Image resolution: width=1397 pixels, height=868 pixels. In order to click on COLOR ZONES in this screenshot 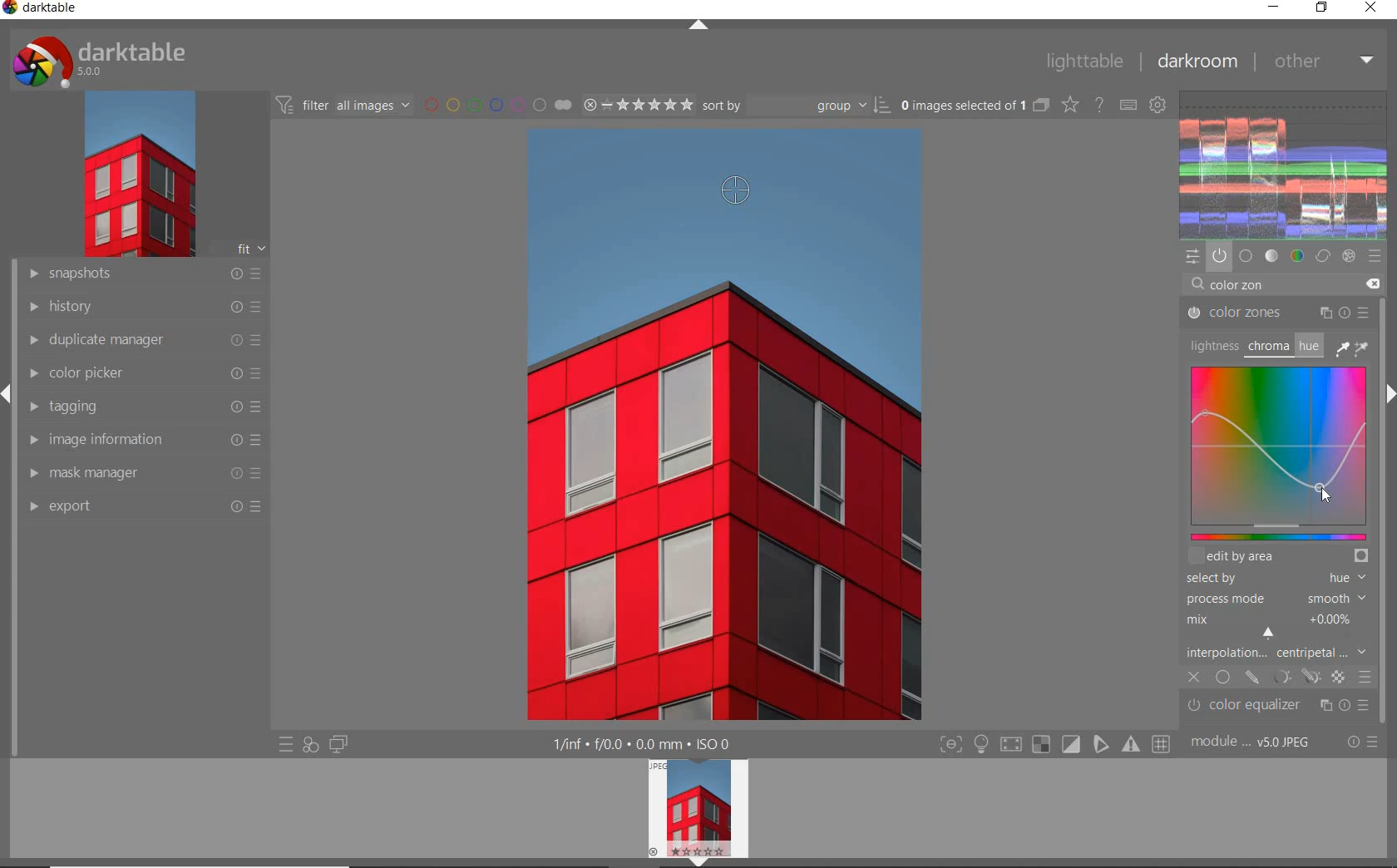, I will do `click(1278, 313)`.